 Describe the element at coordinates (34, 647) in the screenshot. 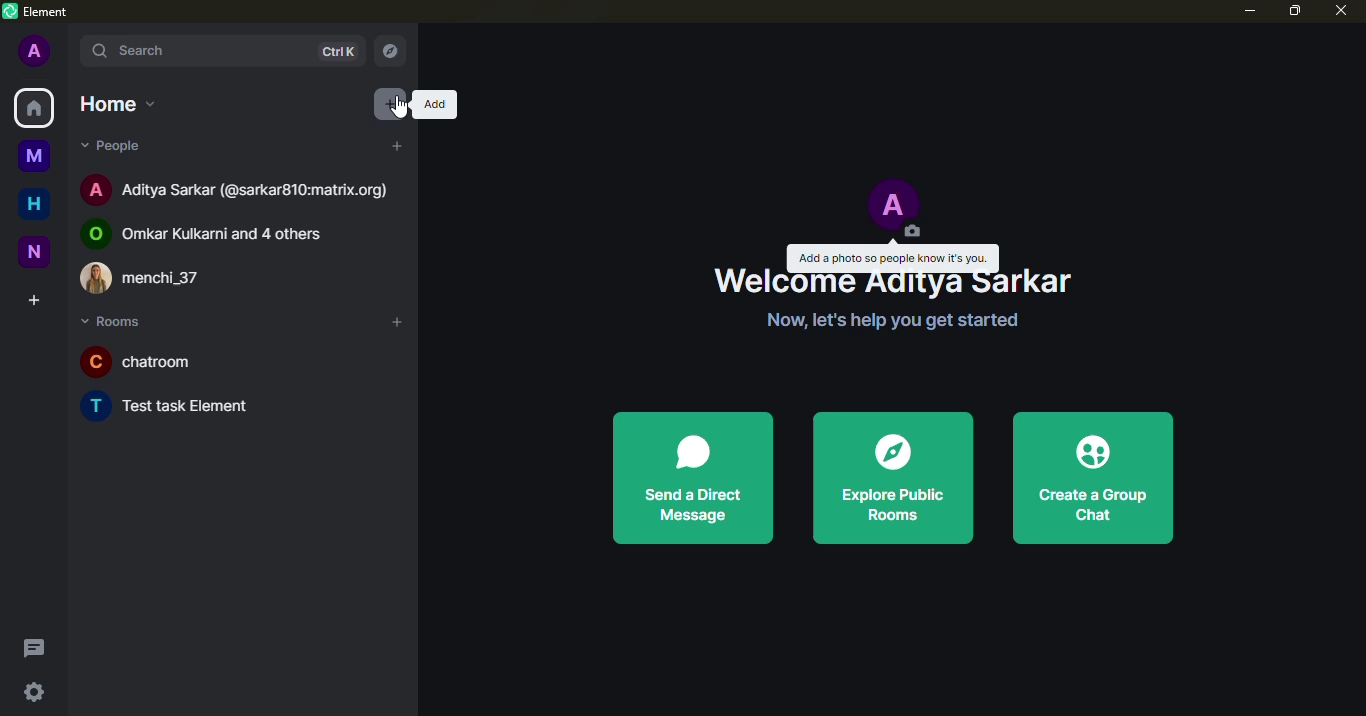

I see `threads` at that location.